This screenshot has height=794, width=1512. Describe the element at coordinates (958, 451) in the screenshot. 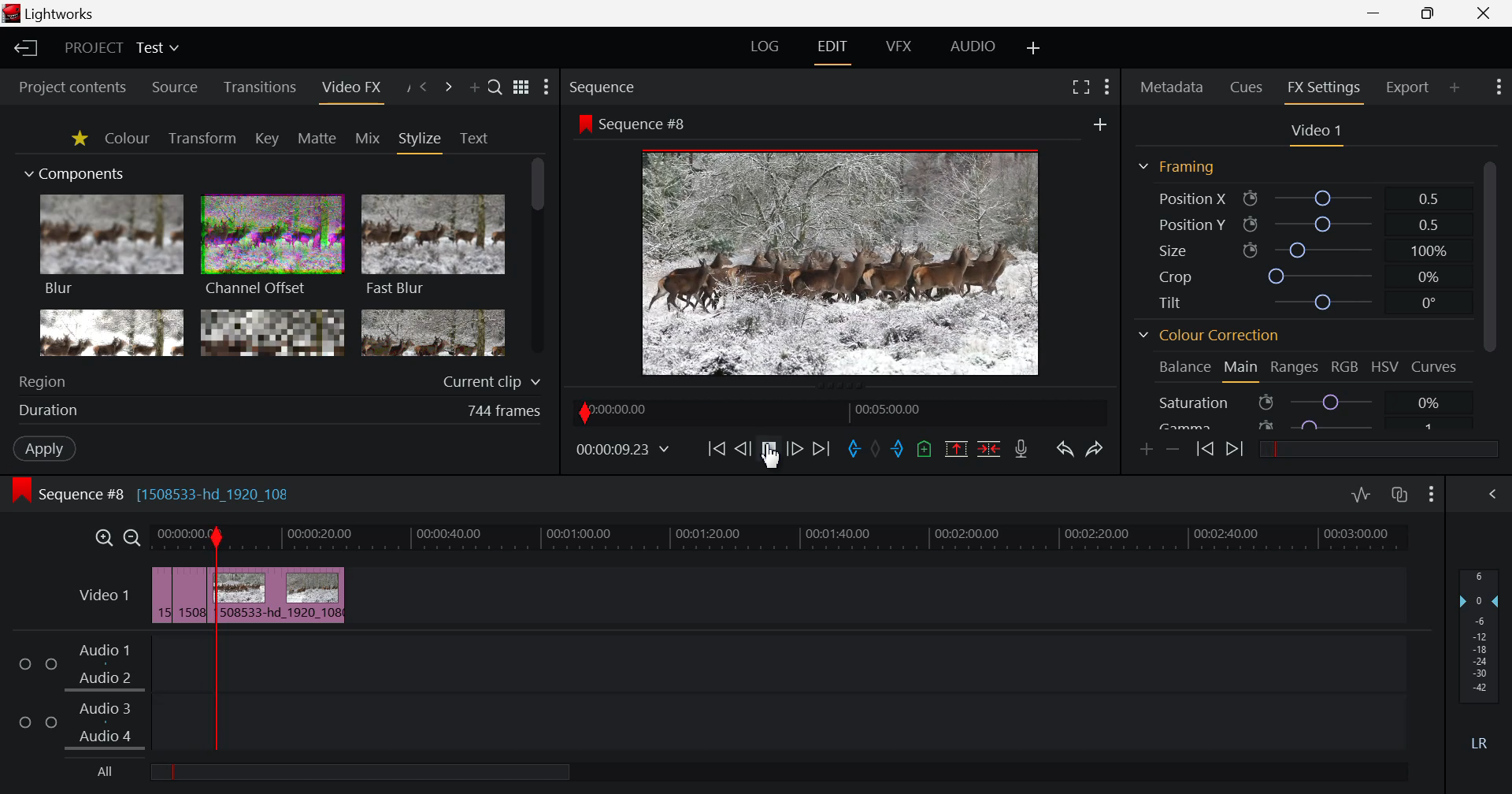

I see `Remove marked section` at that location.